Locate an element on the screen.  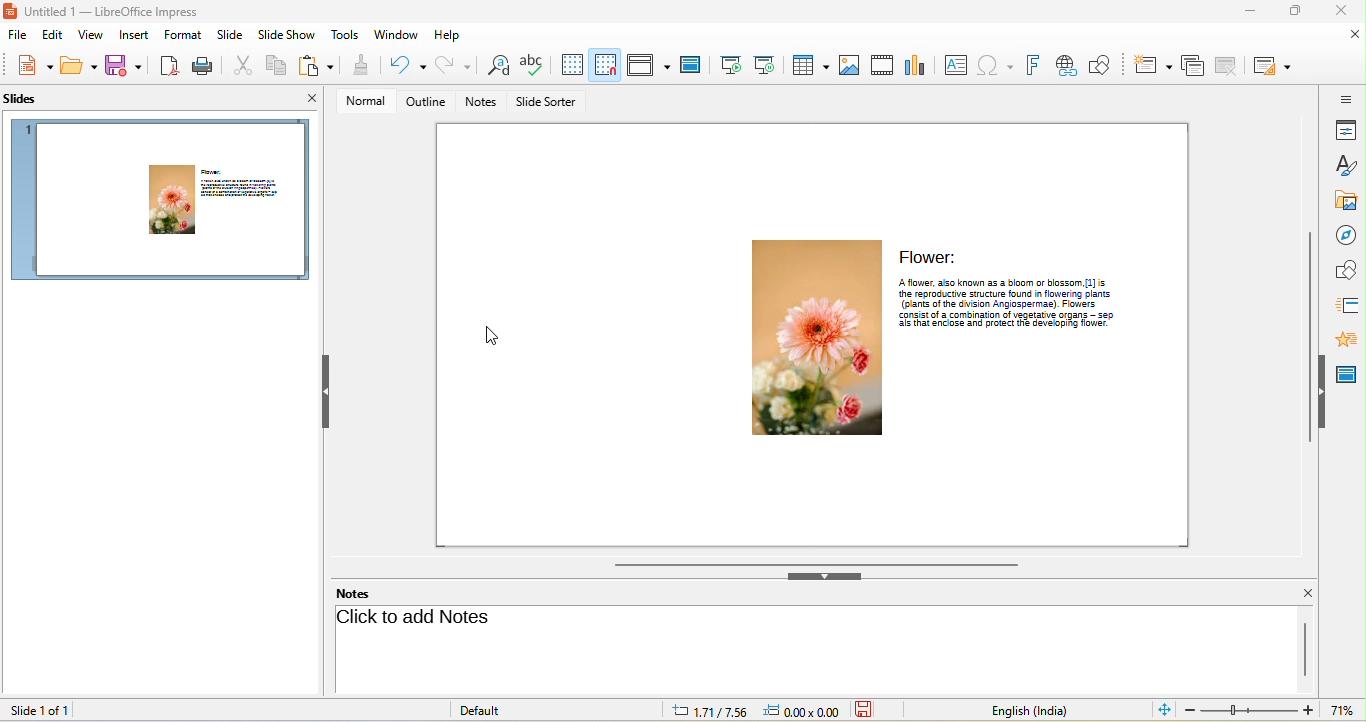
text language is located at coordinates (1018, 712).